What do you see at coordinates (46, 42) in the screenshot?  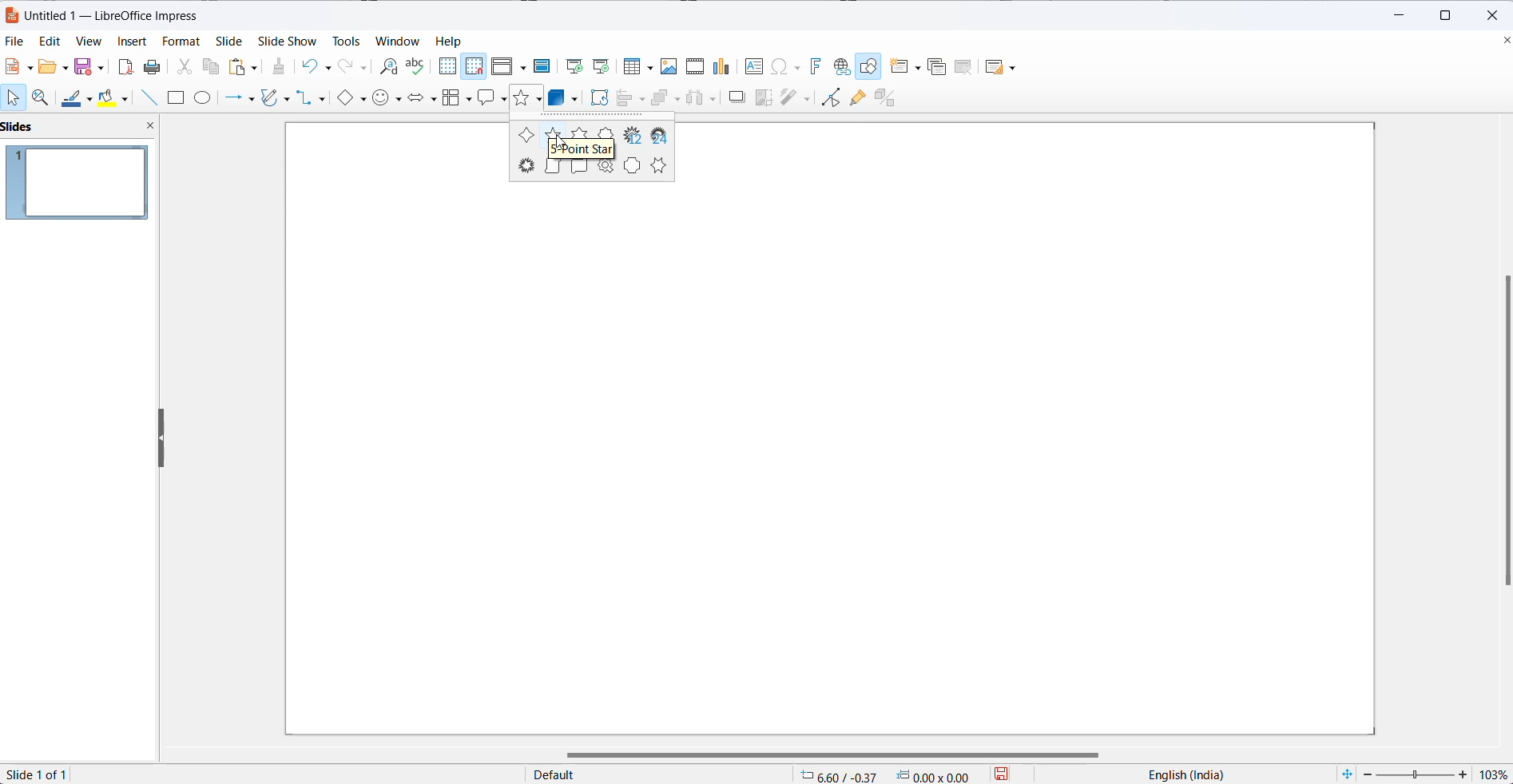 I see `edit` at bounding box center [46, 42].